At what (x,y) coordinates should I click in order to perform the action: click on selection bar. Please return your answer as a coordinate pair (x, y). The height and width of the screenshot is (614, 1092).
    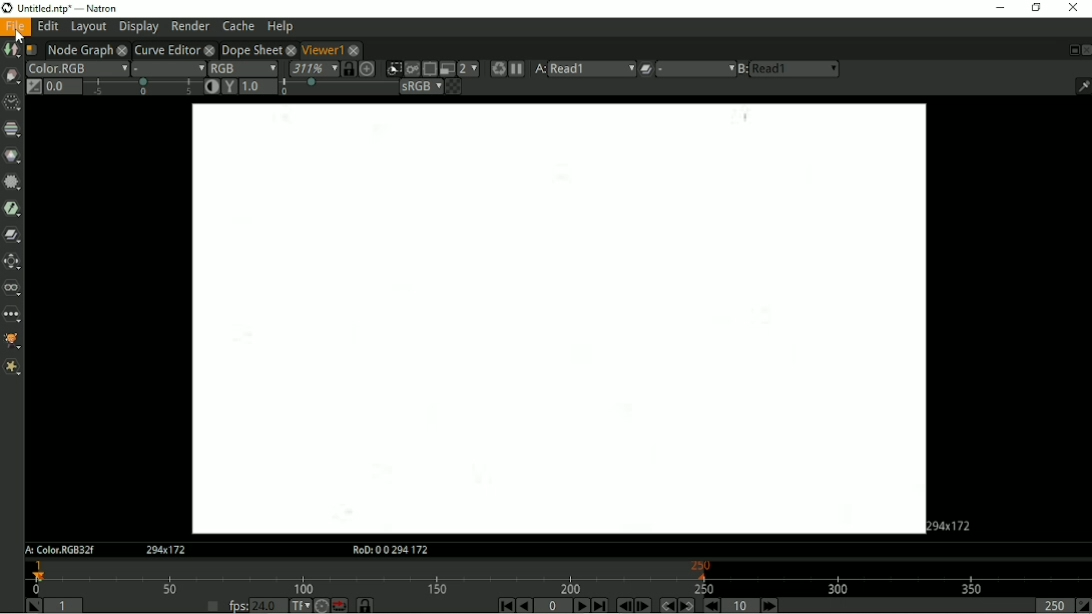
    Looking at the image, I should click on (142, 87).